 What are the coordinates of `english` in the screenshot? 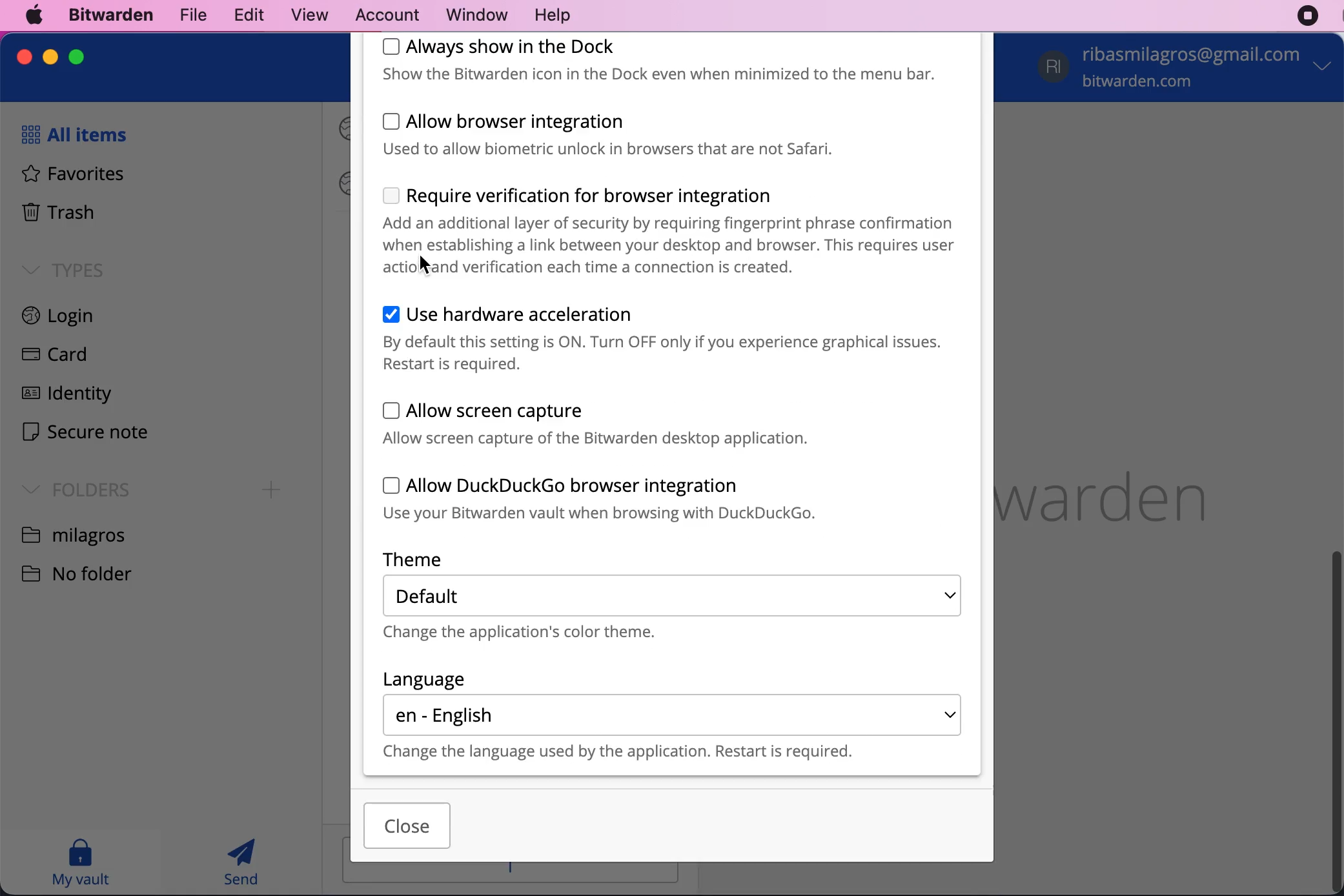 It's located at (673, 715).